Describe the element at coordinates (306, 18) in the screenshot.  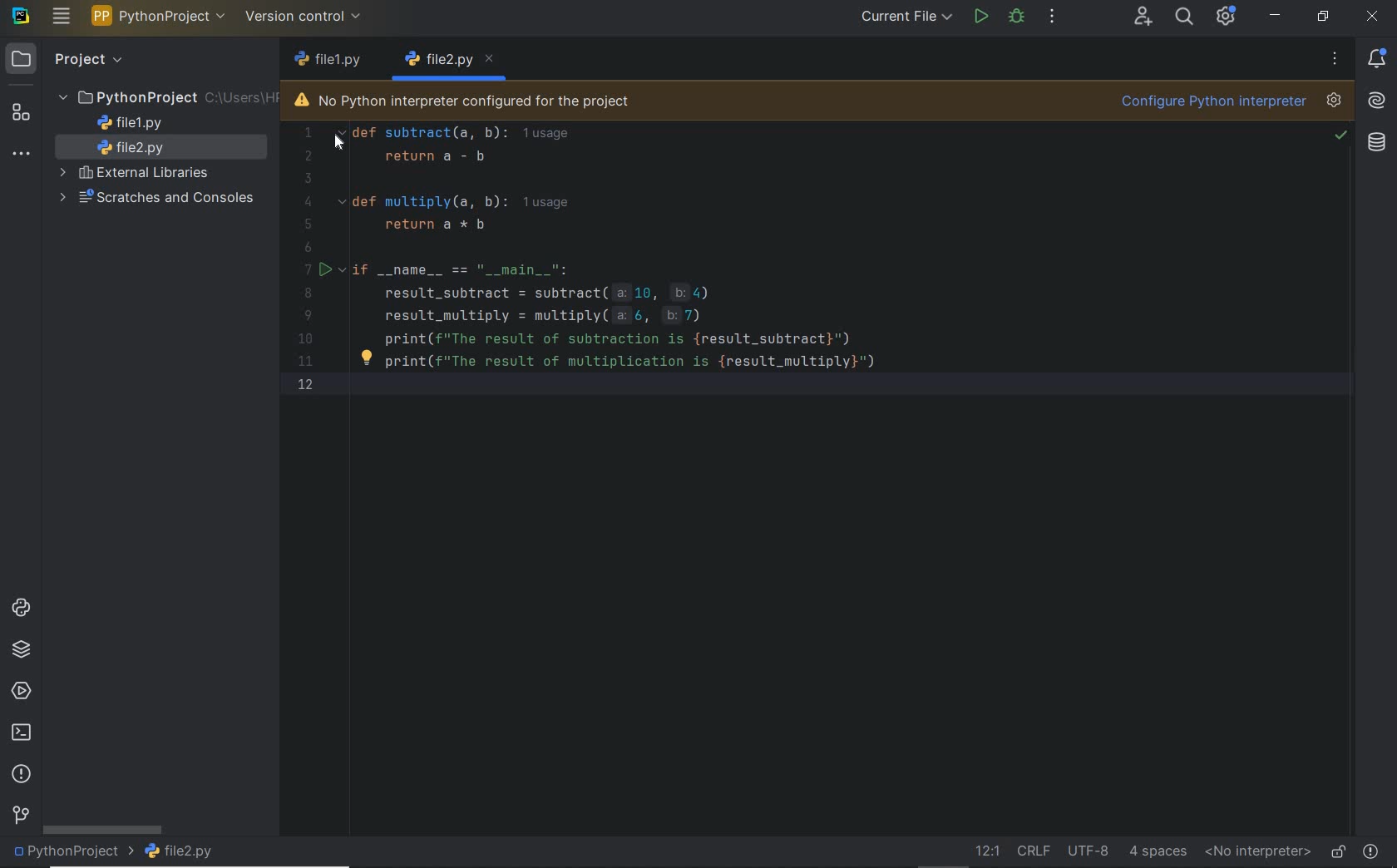
I see `version control` at that location.